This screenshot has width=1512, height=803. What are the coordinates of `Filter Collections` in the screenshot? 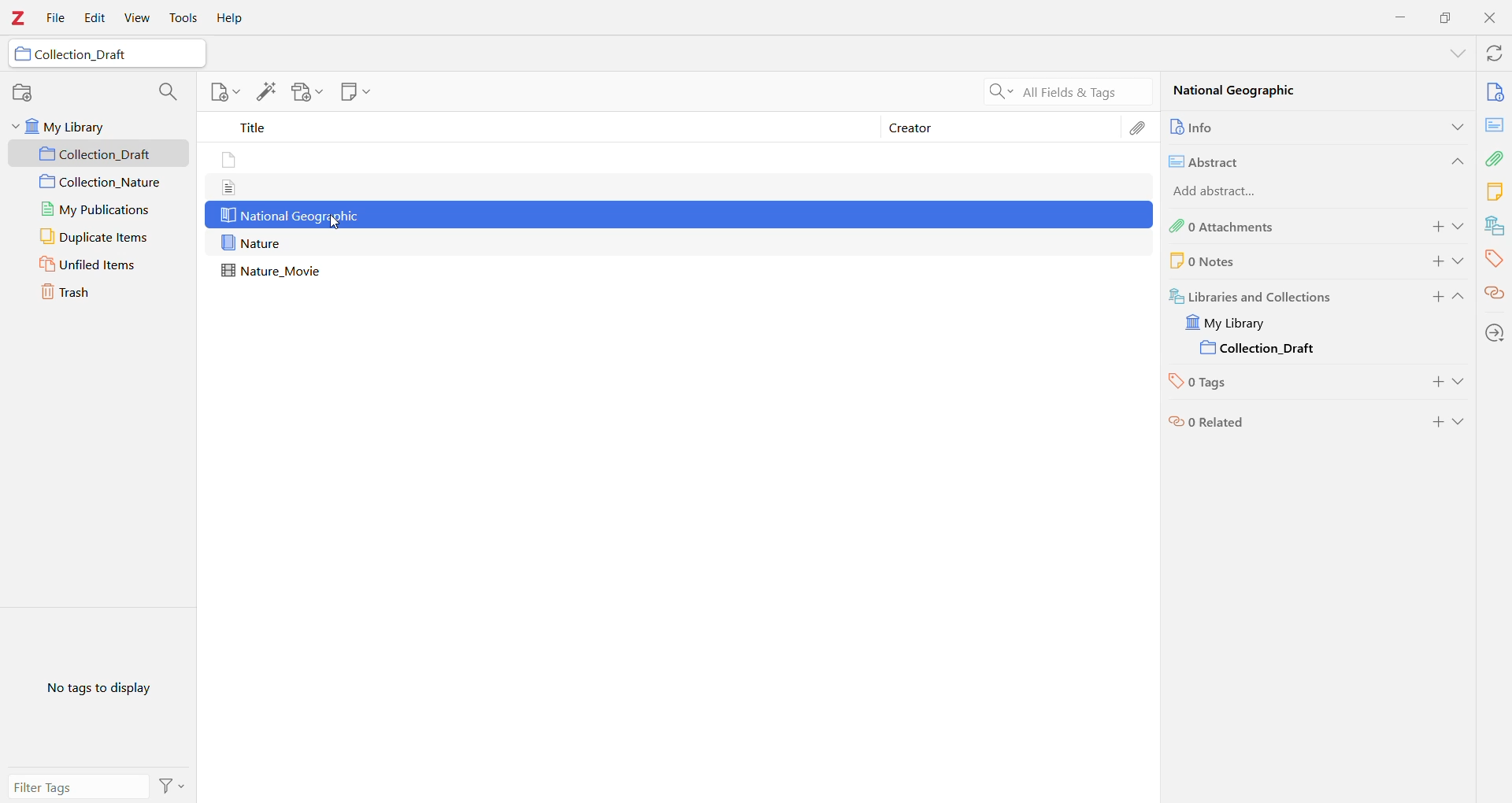 It's located at (167, 90).